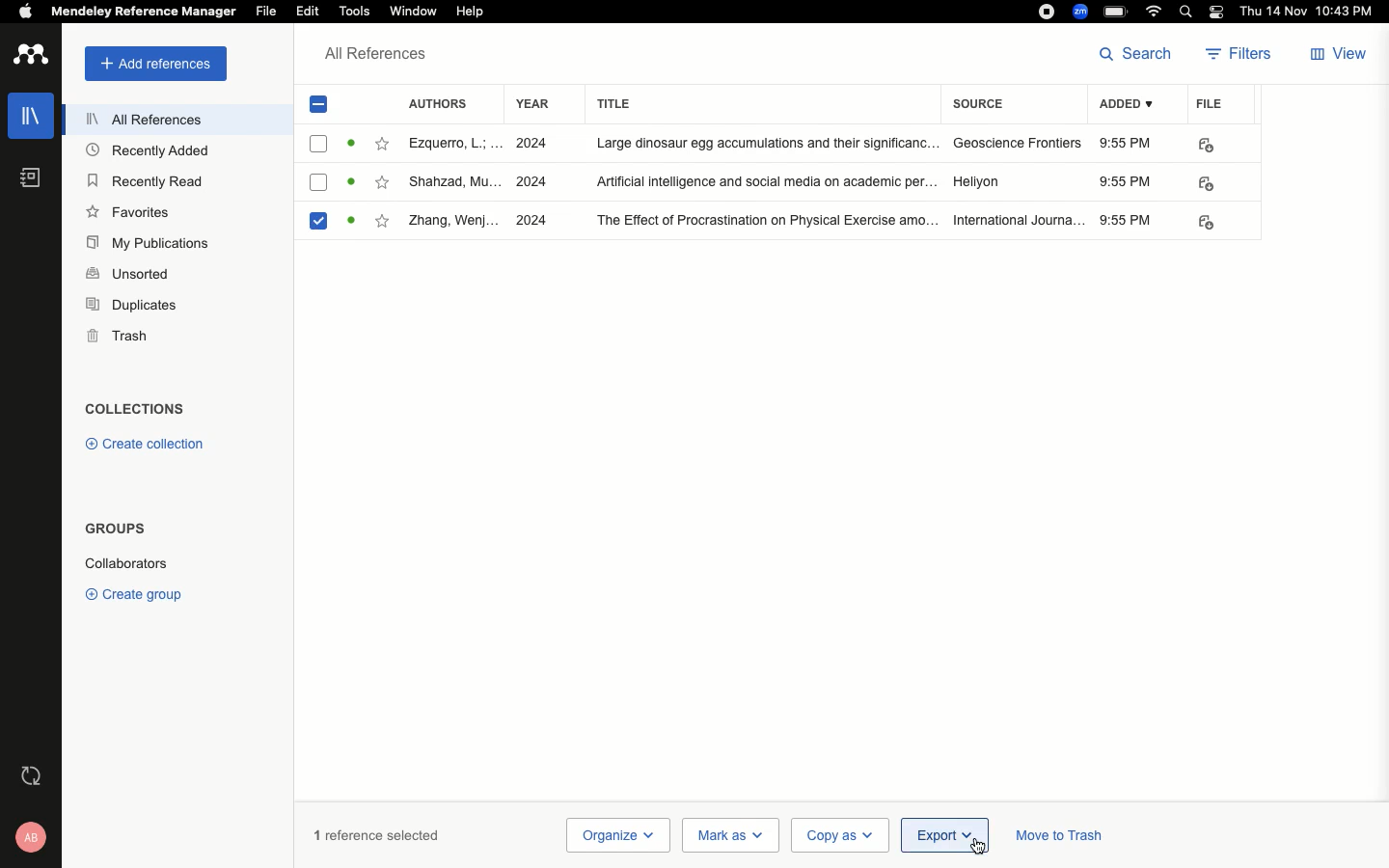 The height and width of the screenshot is (868, 1389). Describe the element at coordinates (32, 111) in the screenshot. I see `Library` at that location.